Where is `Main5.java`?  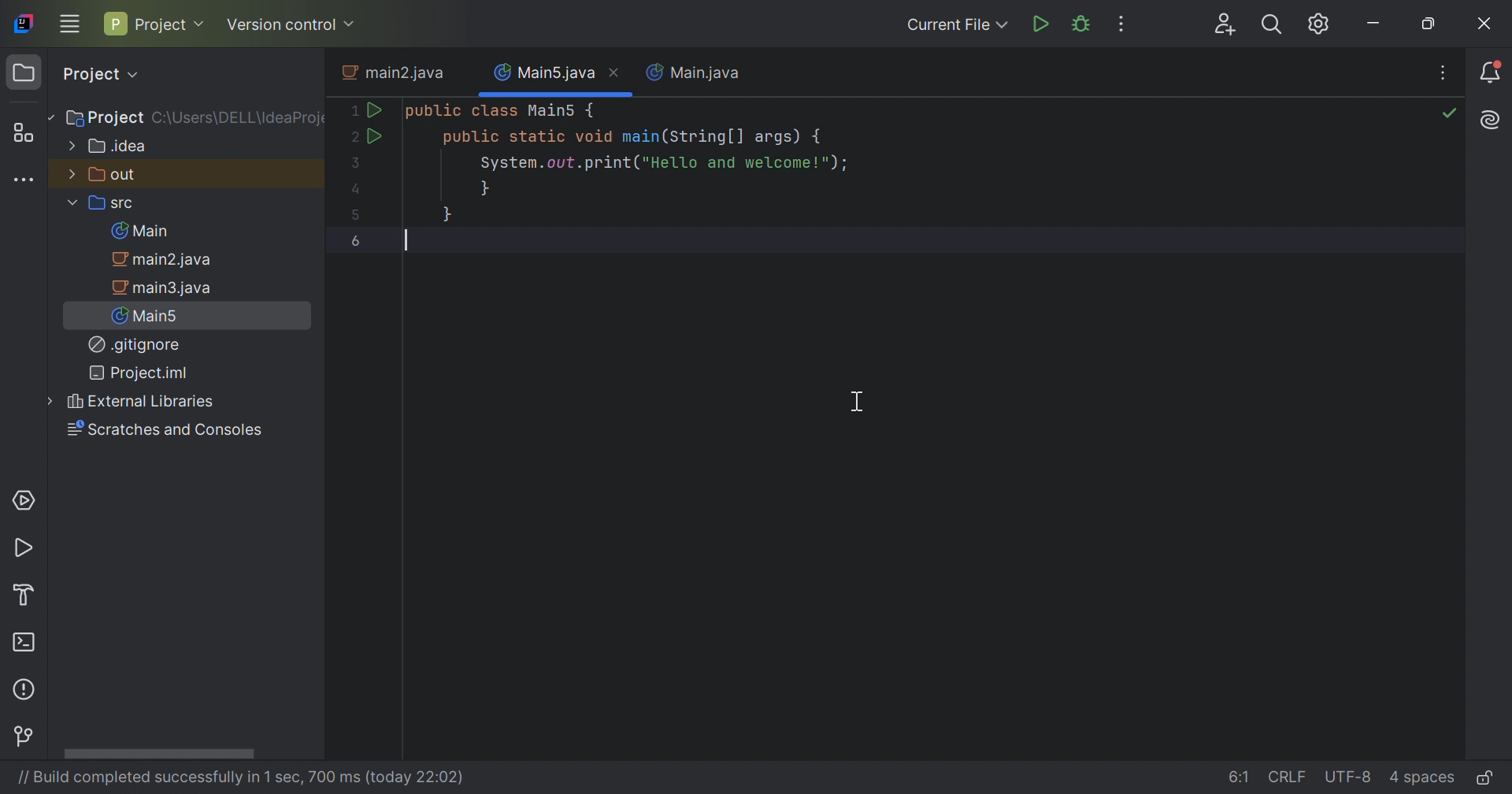 Main5.java is located at coordinates (544, 70).